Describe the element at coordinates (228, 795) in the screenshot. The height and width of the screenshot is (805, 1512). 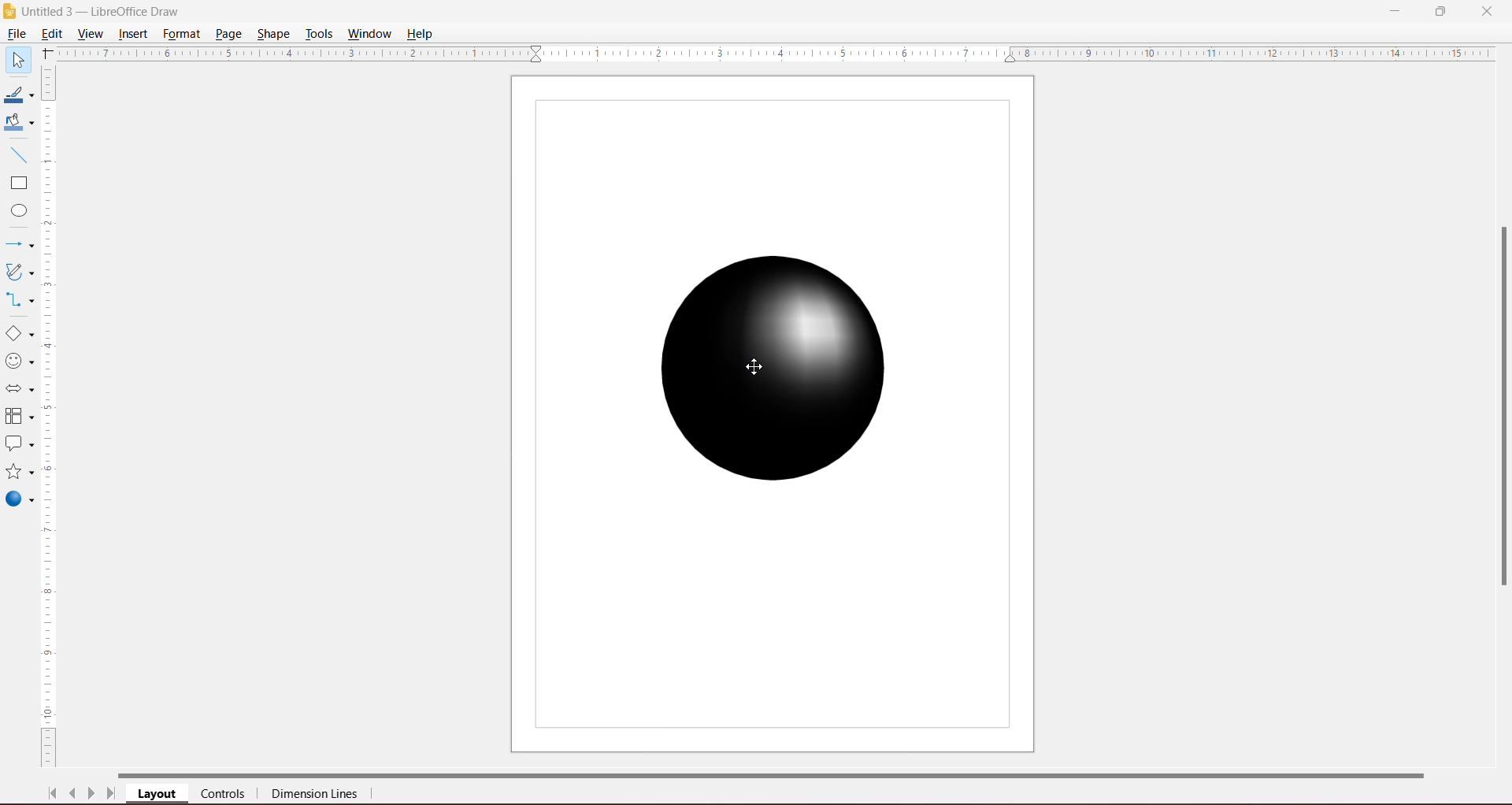
I see `Controls` at that location.